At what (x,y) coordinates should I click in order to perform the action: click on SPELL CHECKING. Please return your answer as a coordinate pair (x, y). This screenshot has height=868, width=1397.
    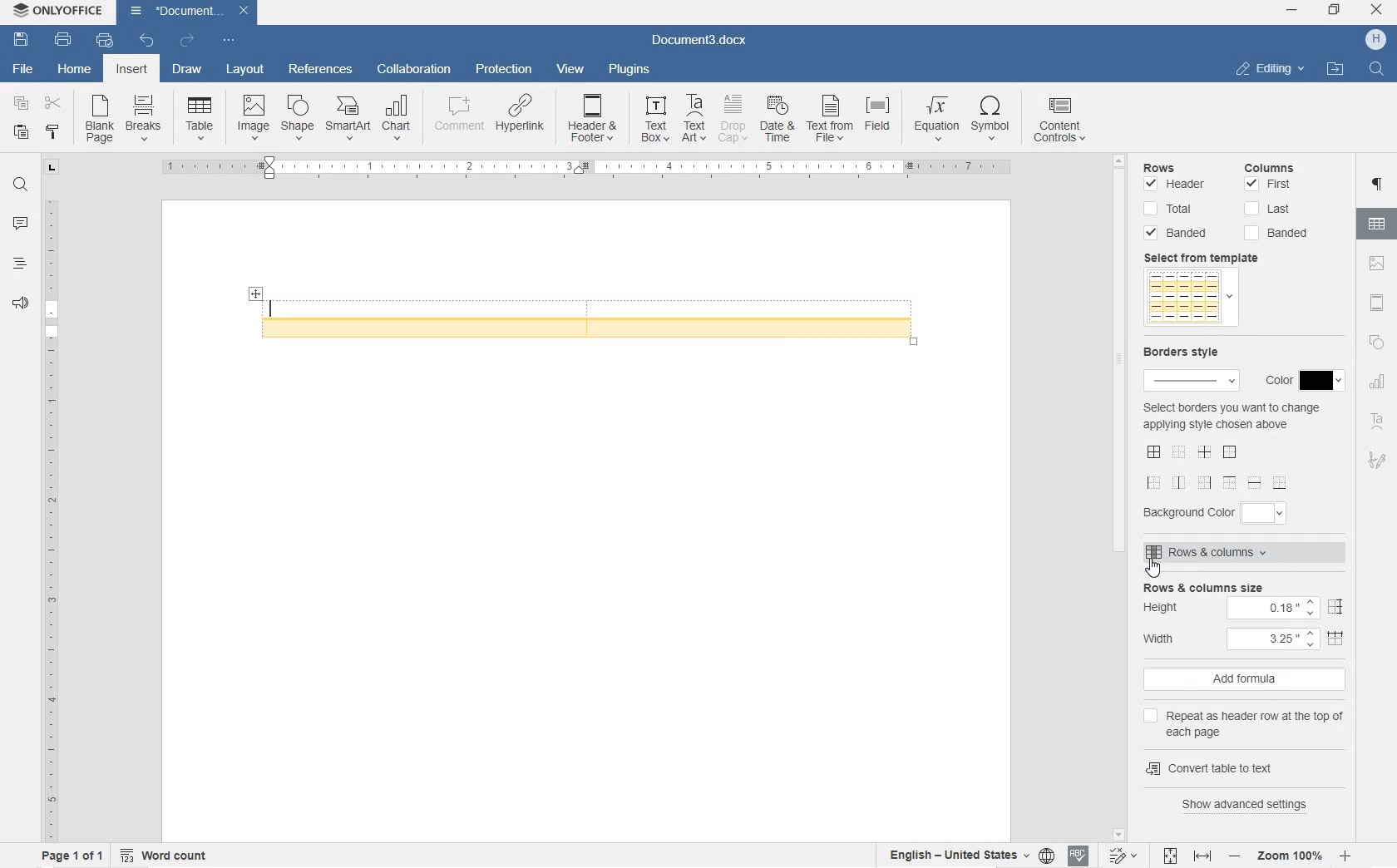
    Looking at the image, I should click on (1077, 856).